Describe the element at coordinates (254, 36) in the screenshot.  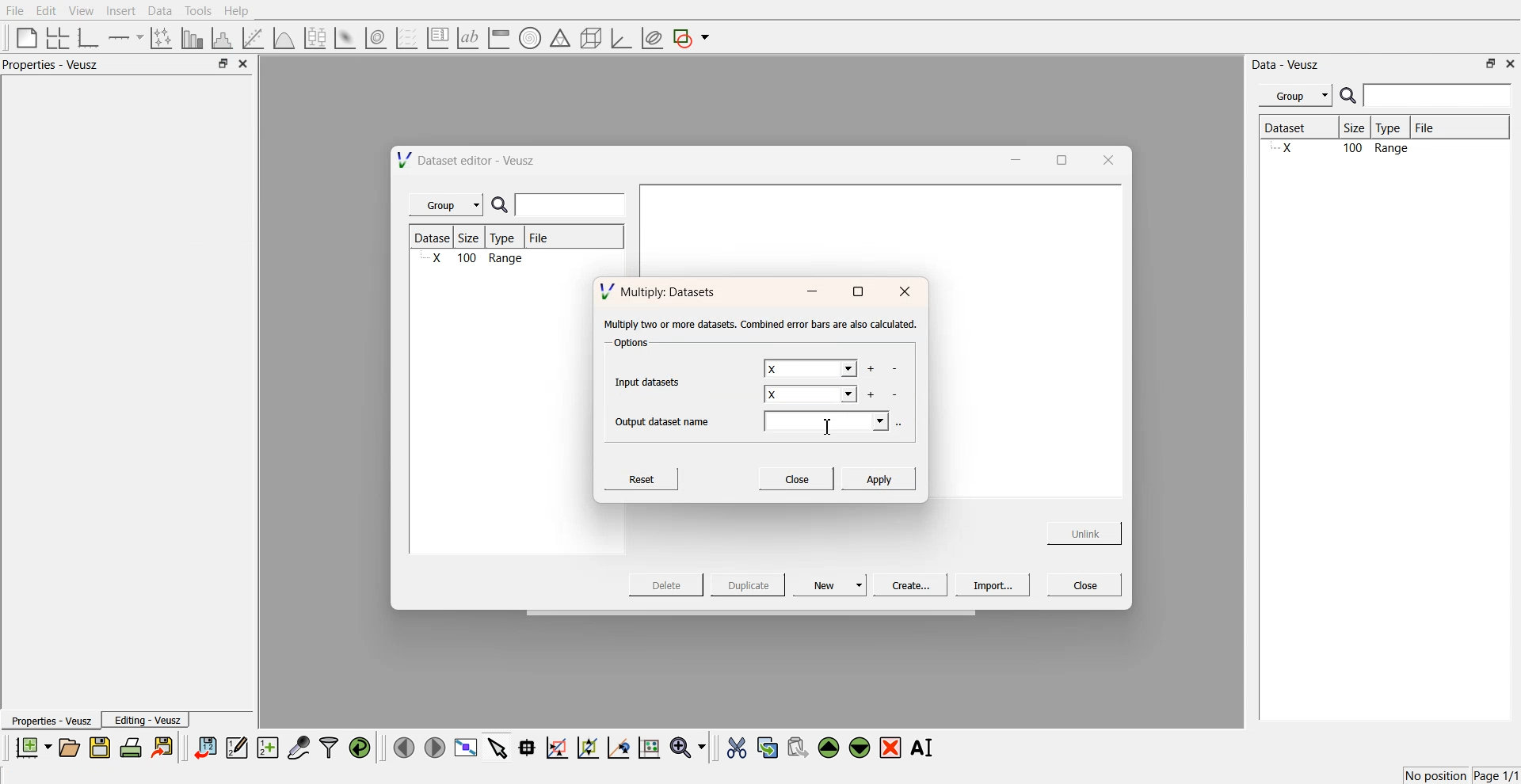
I see `fit a function` at that location.